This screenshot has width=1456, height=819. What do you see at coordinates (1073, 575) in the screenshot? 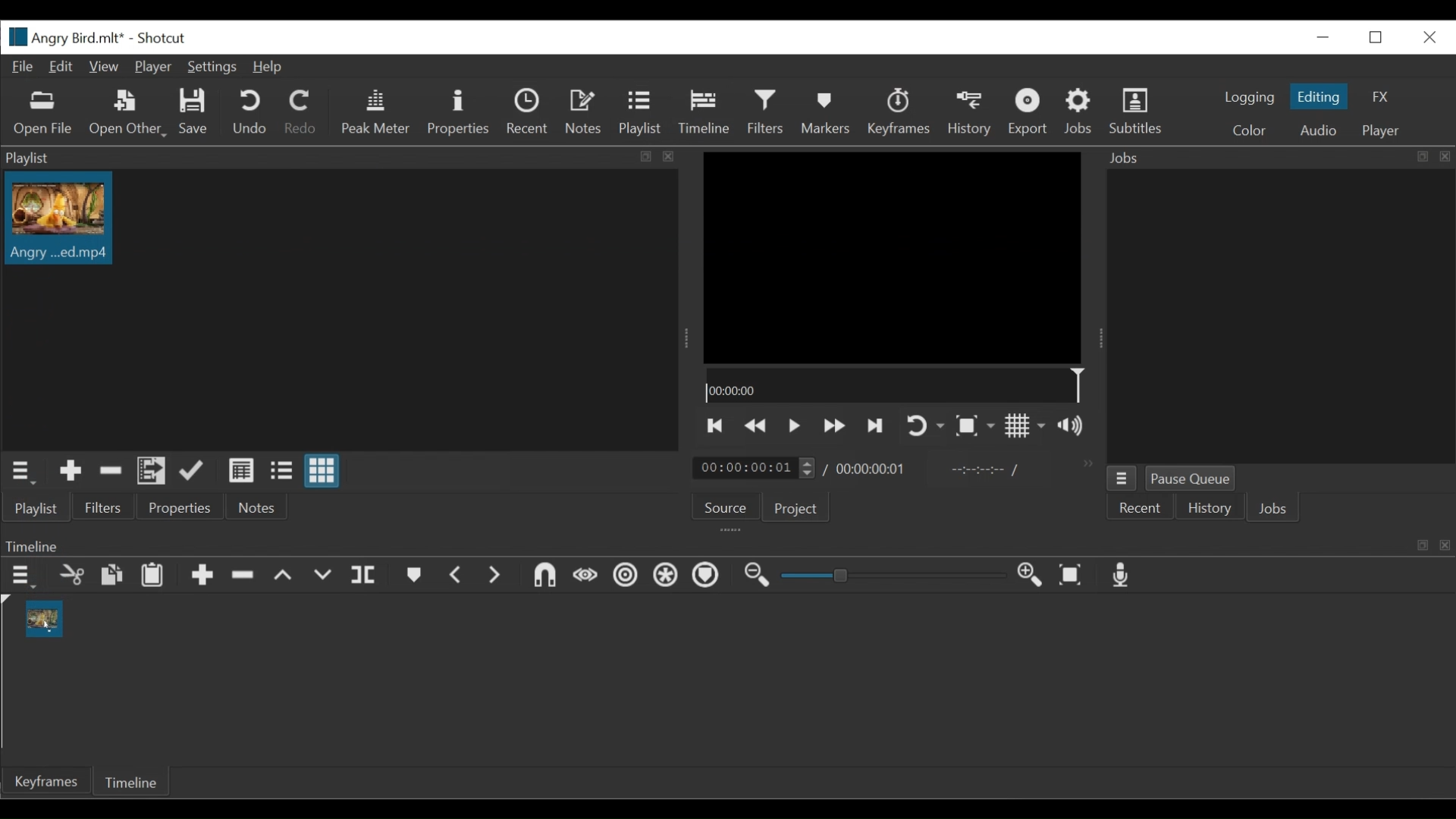
I see `Zoom timeline to fit` at bounding box center [1073, 575].